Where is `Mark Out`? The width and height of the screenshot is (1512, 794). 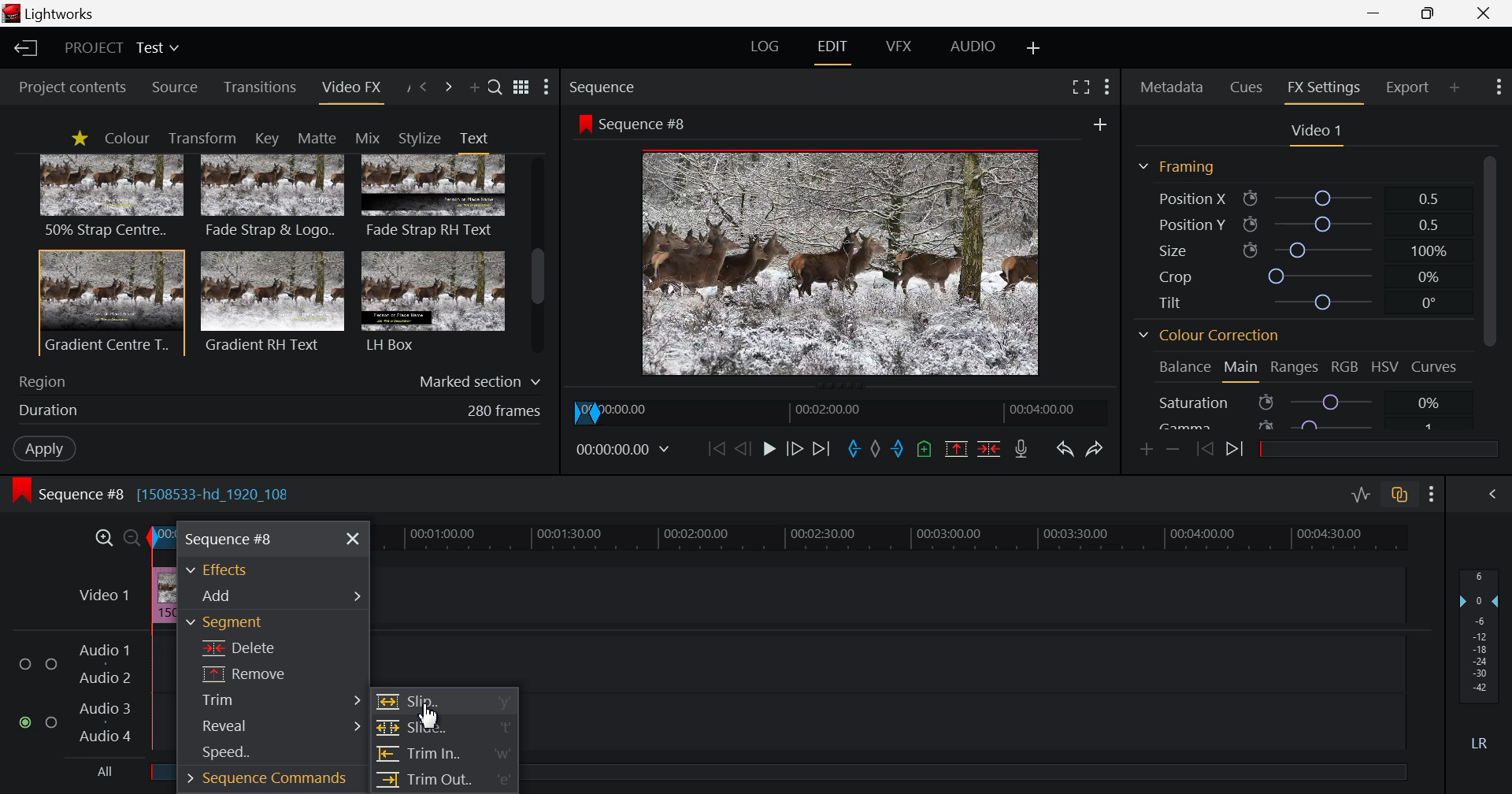
Mark Out is located at coordinates (898, 451).